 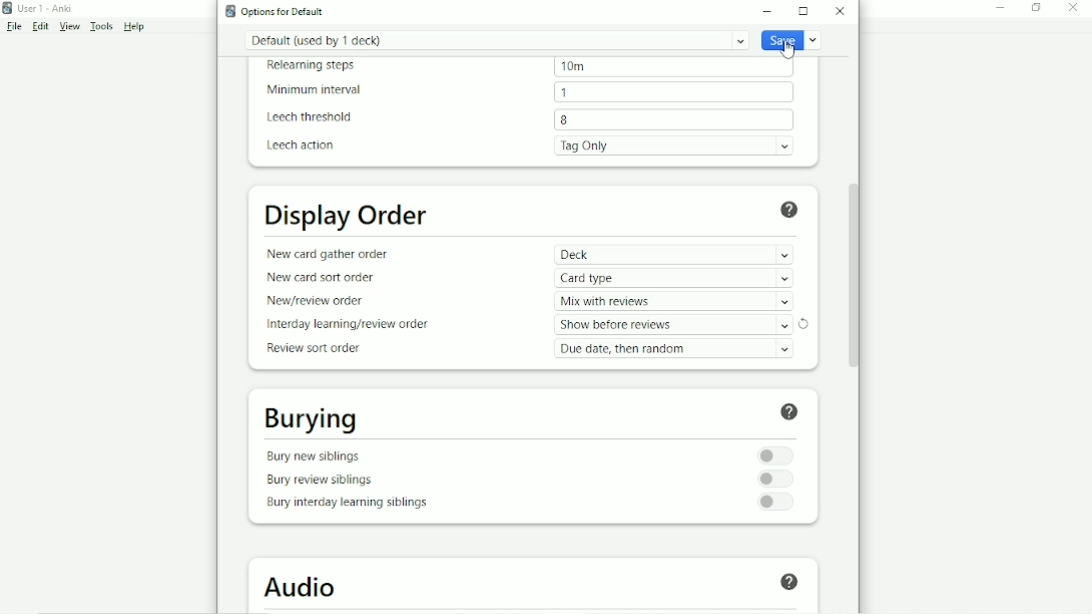 I want to click on Bury review siblings, so click(x=319, y=482).